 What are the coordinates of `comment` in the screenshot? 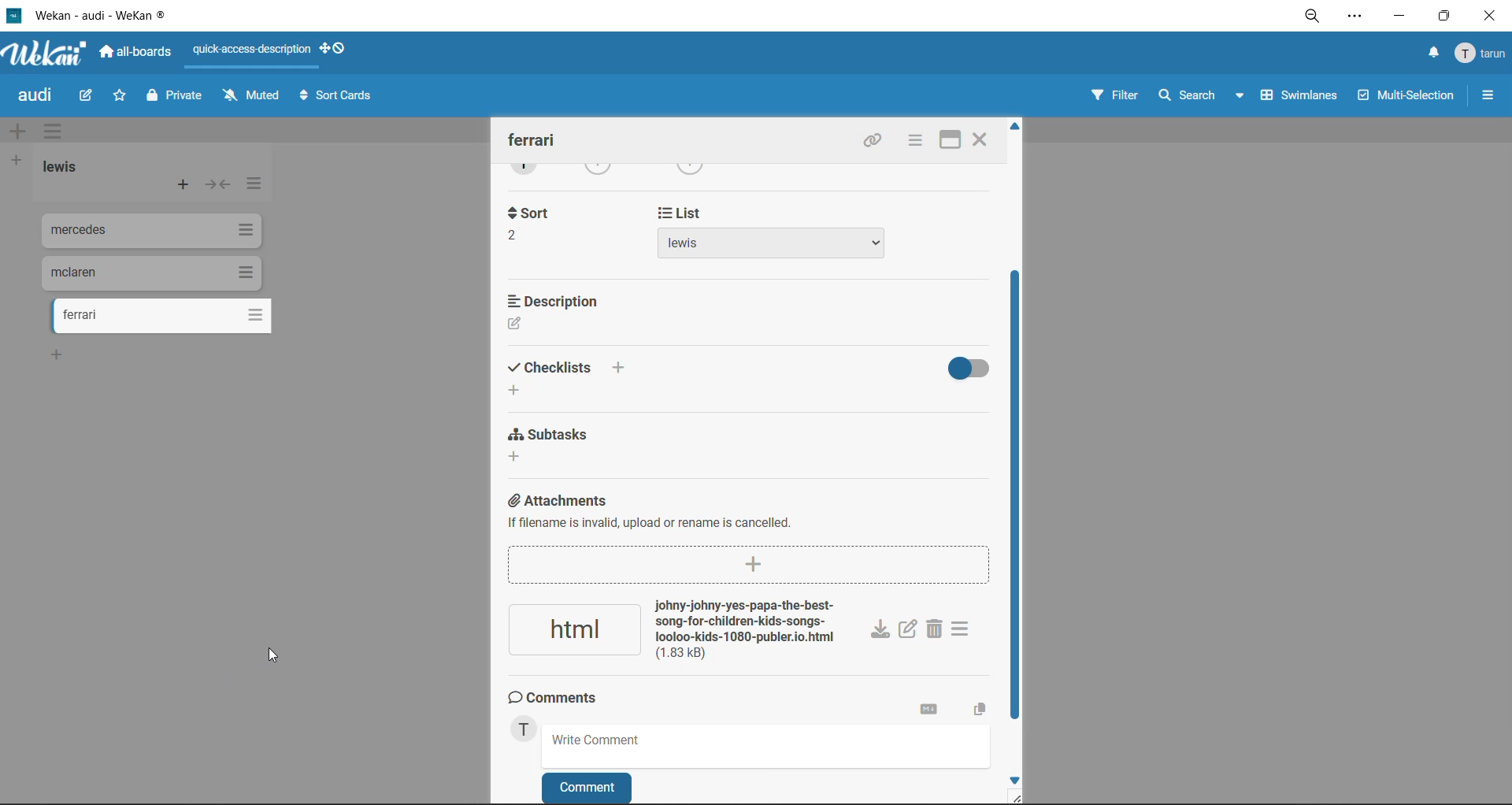 It's located at (584, 788).